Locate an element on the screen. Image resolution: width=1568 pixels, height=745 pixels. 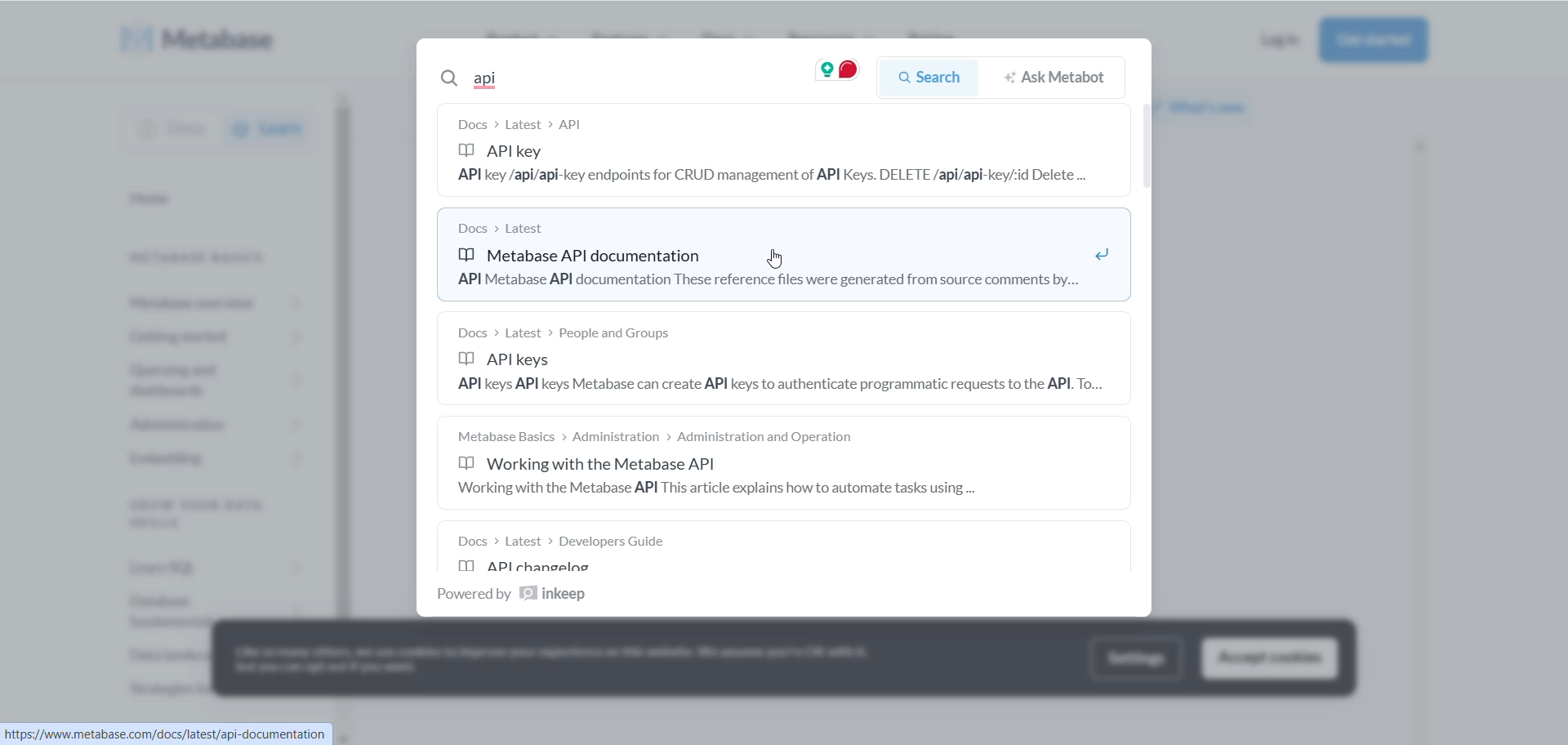
API changing documentation is located at coordinates (783, 551).